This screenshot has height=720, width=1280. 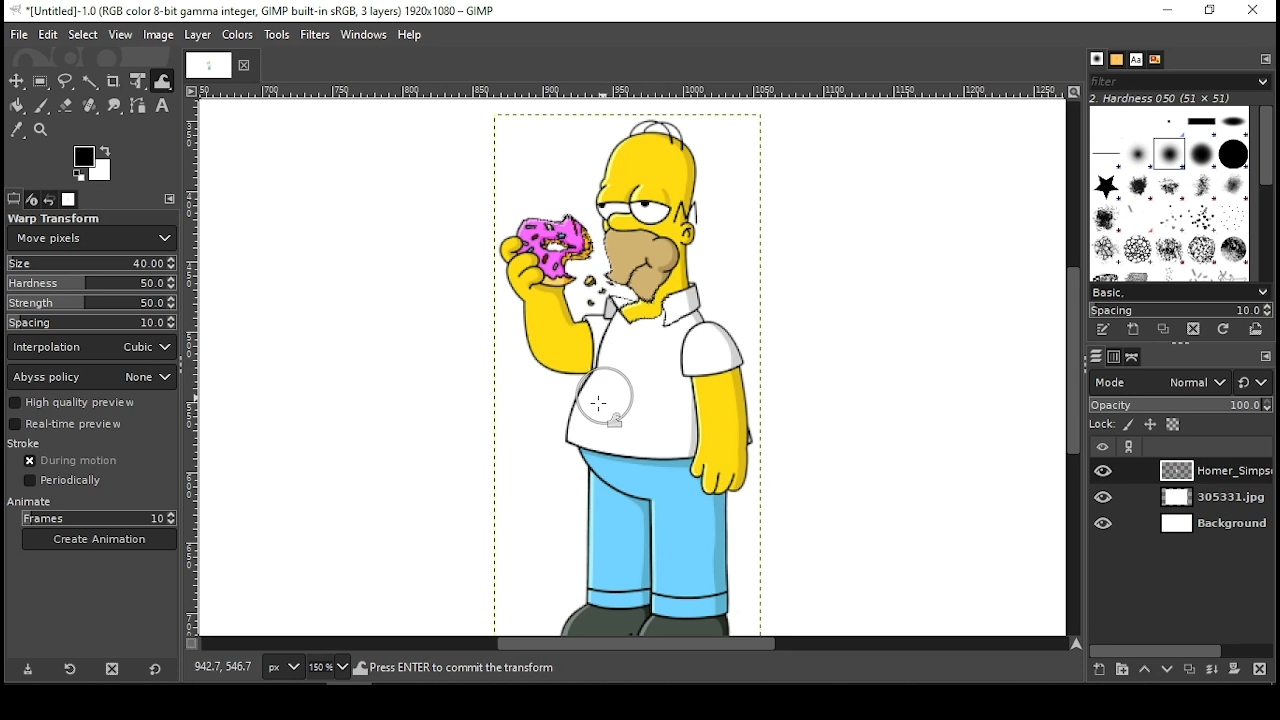 What do you see at coordinates (1268, 194) in the screenshot?
I see `scroll bar` at bounding box center [1268, 194].